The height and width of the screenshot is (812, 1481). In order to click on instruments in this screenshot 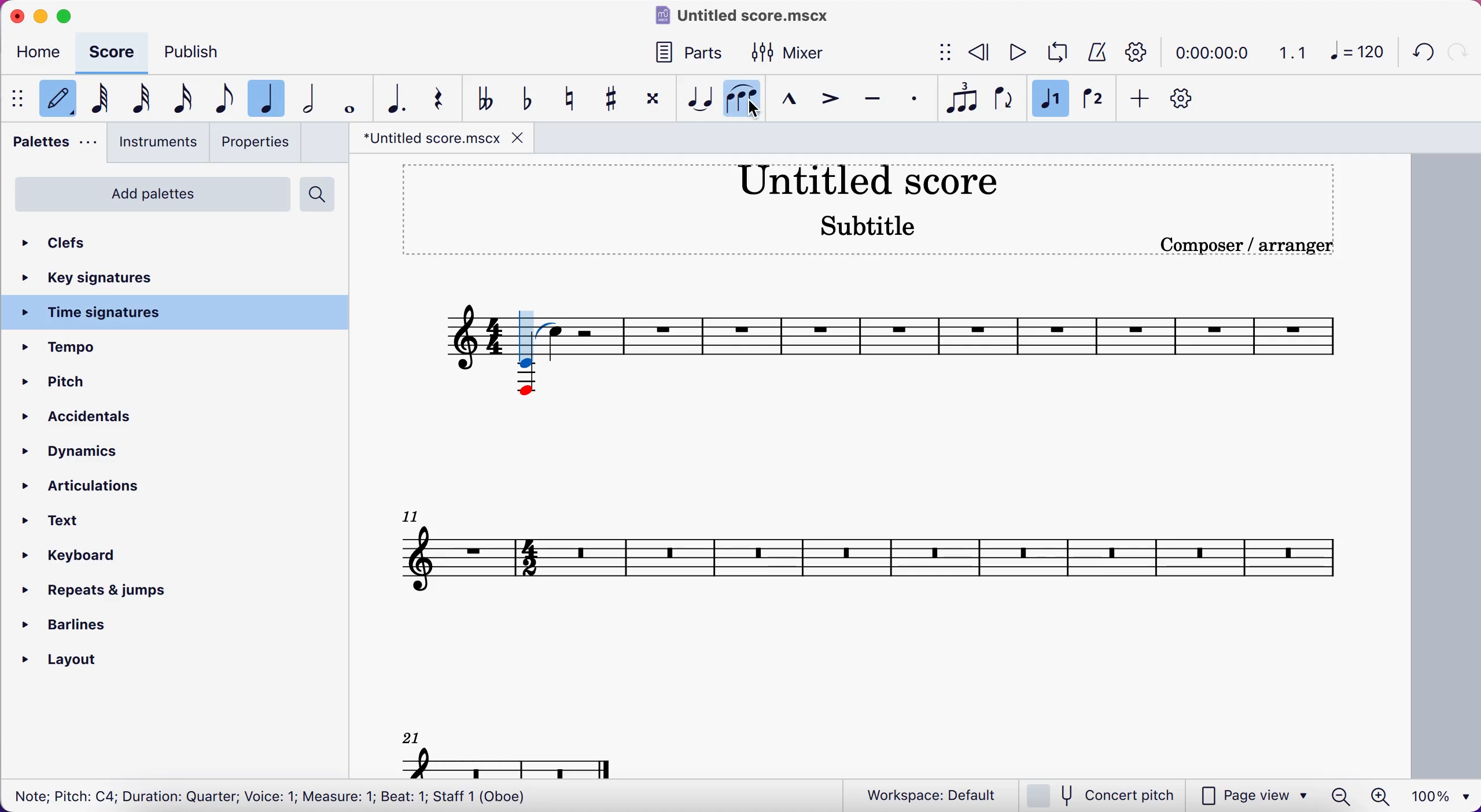, I will do `click(159, 145)`.